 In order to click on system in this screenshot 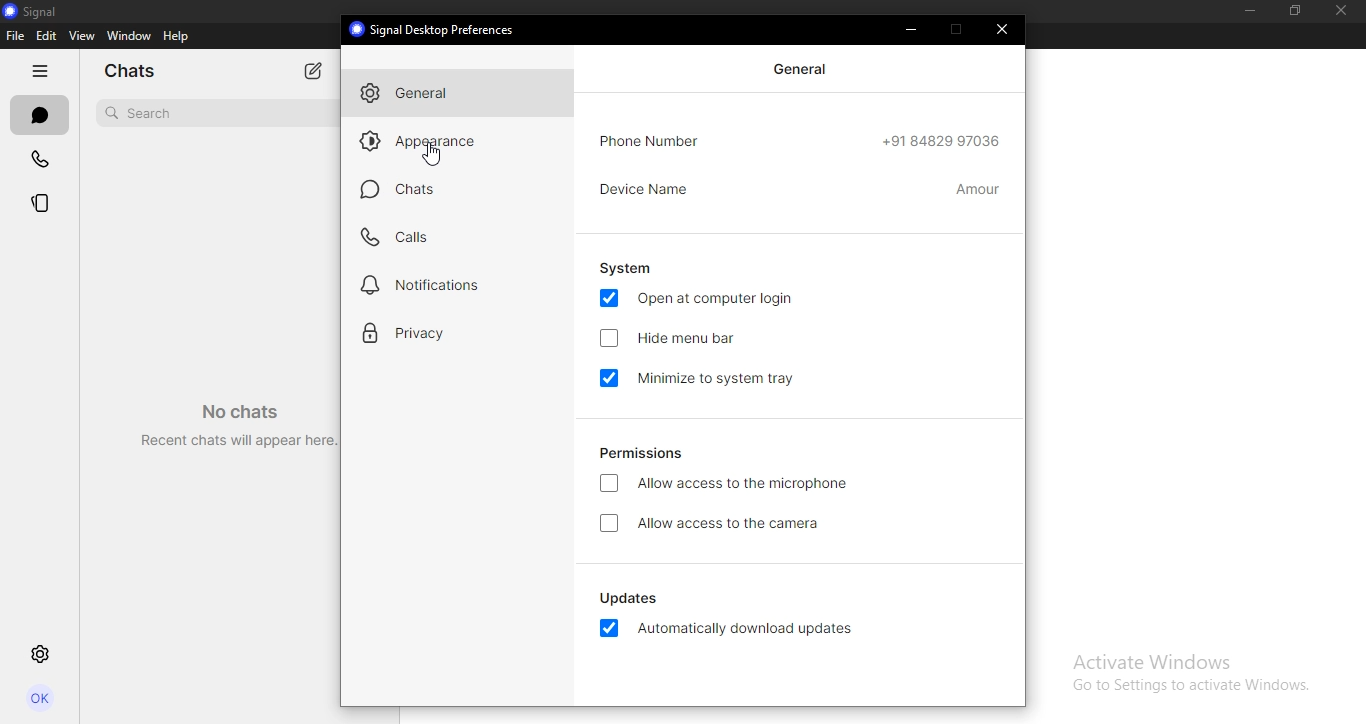, I will do `click(624, 266)`.